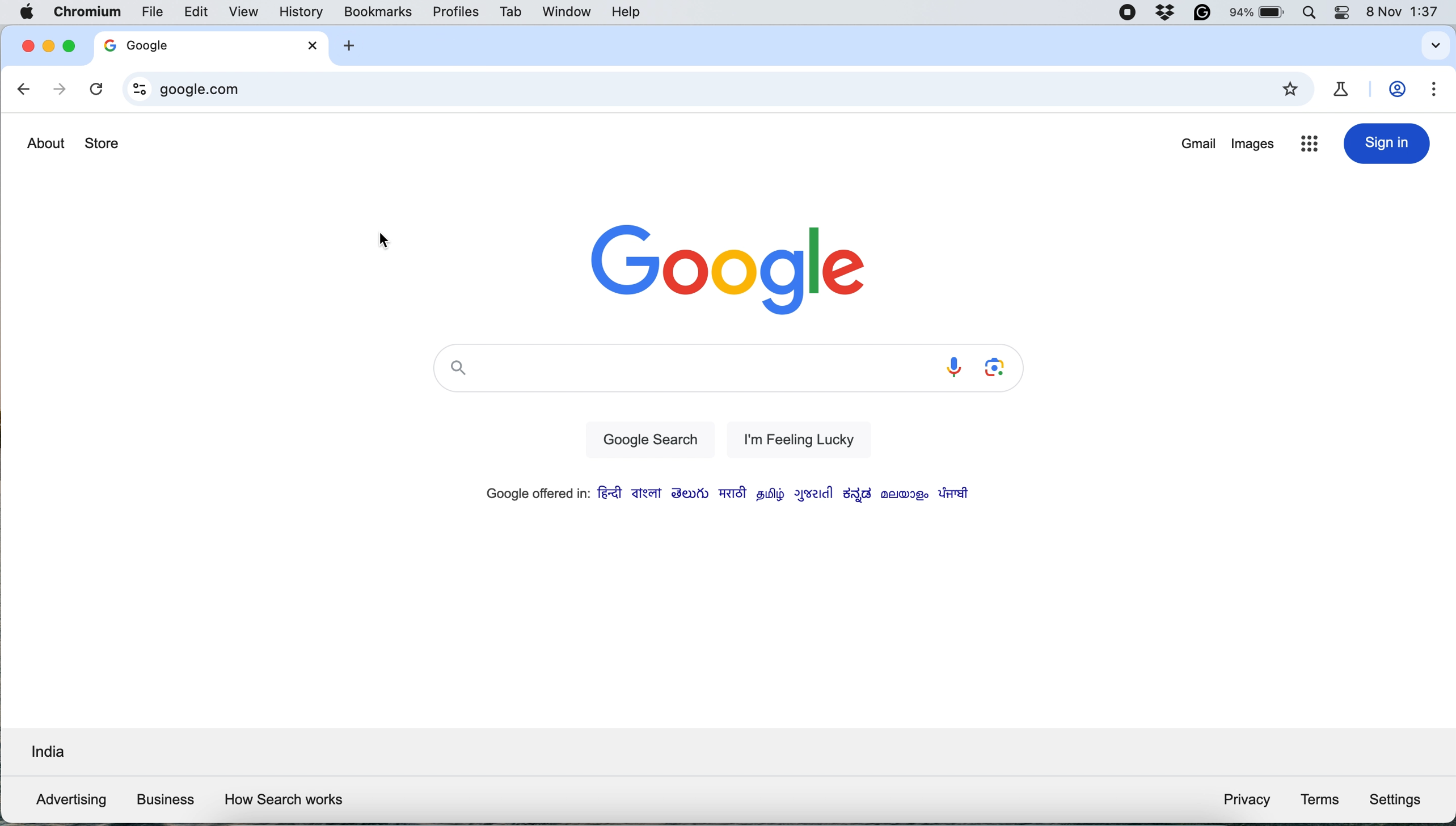 The height and width of the screenshot is (826, 1456). I want to click on store, so click(103, 145).